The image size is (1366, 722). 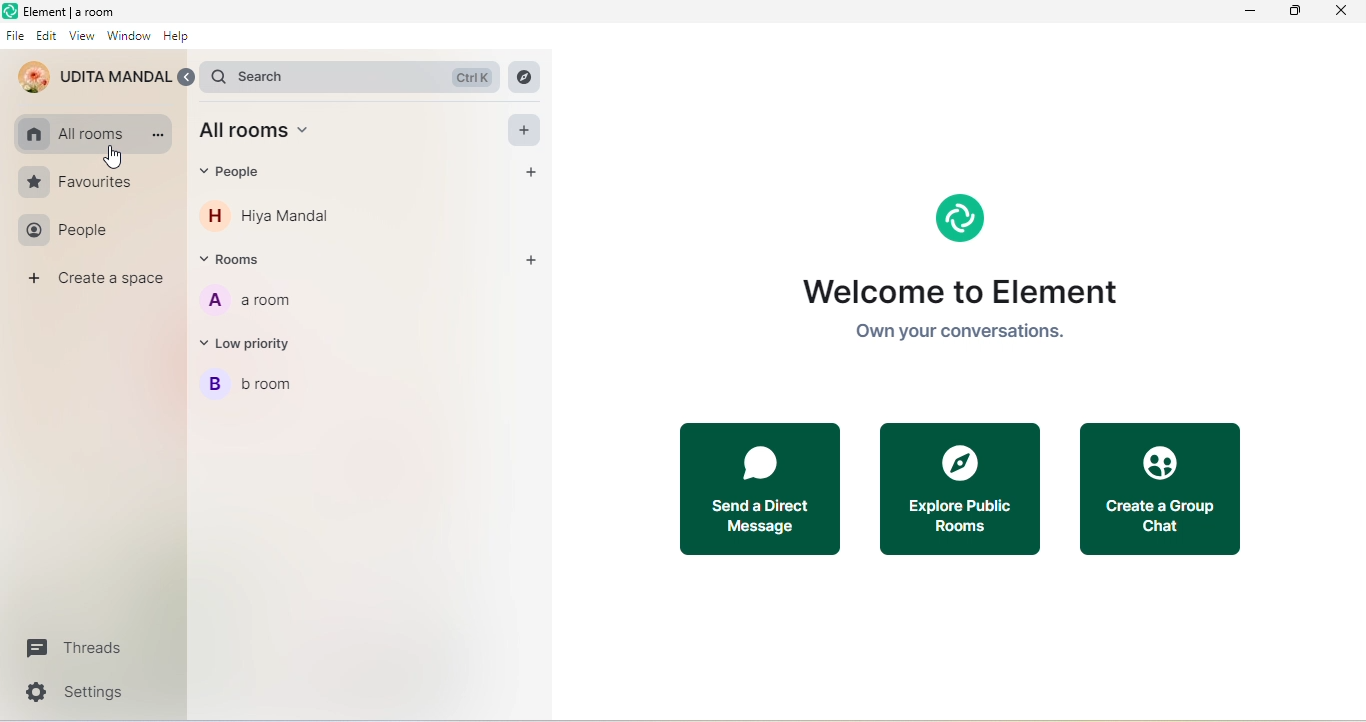 I want to click on > Edit, so click(x=47, y=35).